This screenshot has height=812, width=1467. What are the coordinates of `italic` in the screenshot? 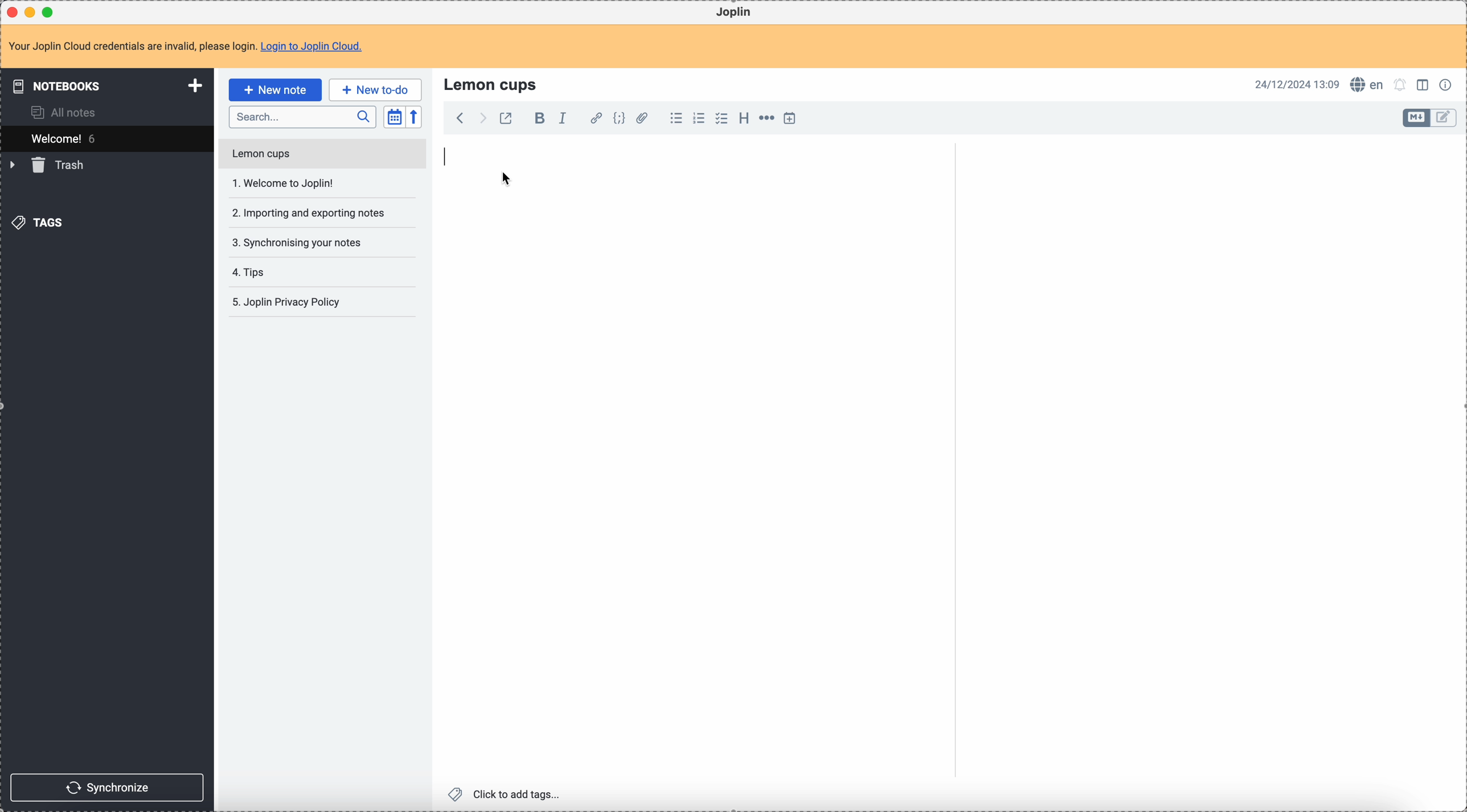 It's located at (562, 117).